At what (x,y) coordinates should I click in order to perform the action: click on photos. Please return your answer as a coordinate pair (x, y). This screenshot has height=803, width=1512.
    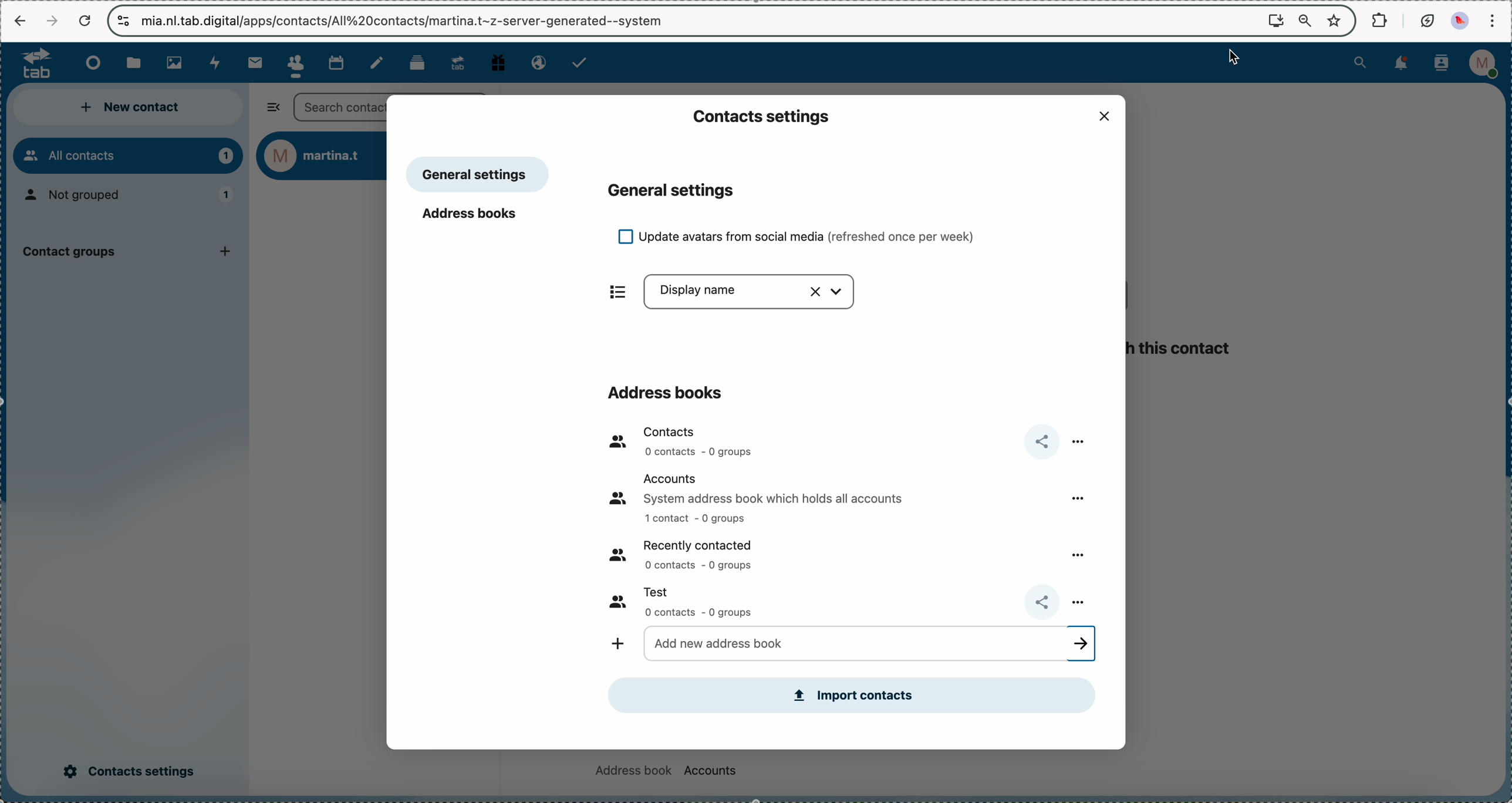
    Looking at the image, I should click on (176, 63).